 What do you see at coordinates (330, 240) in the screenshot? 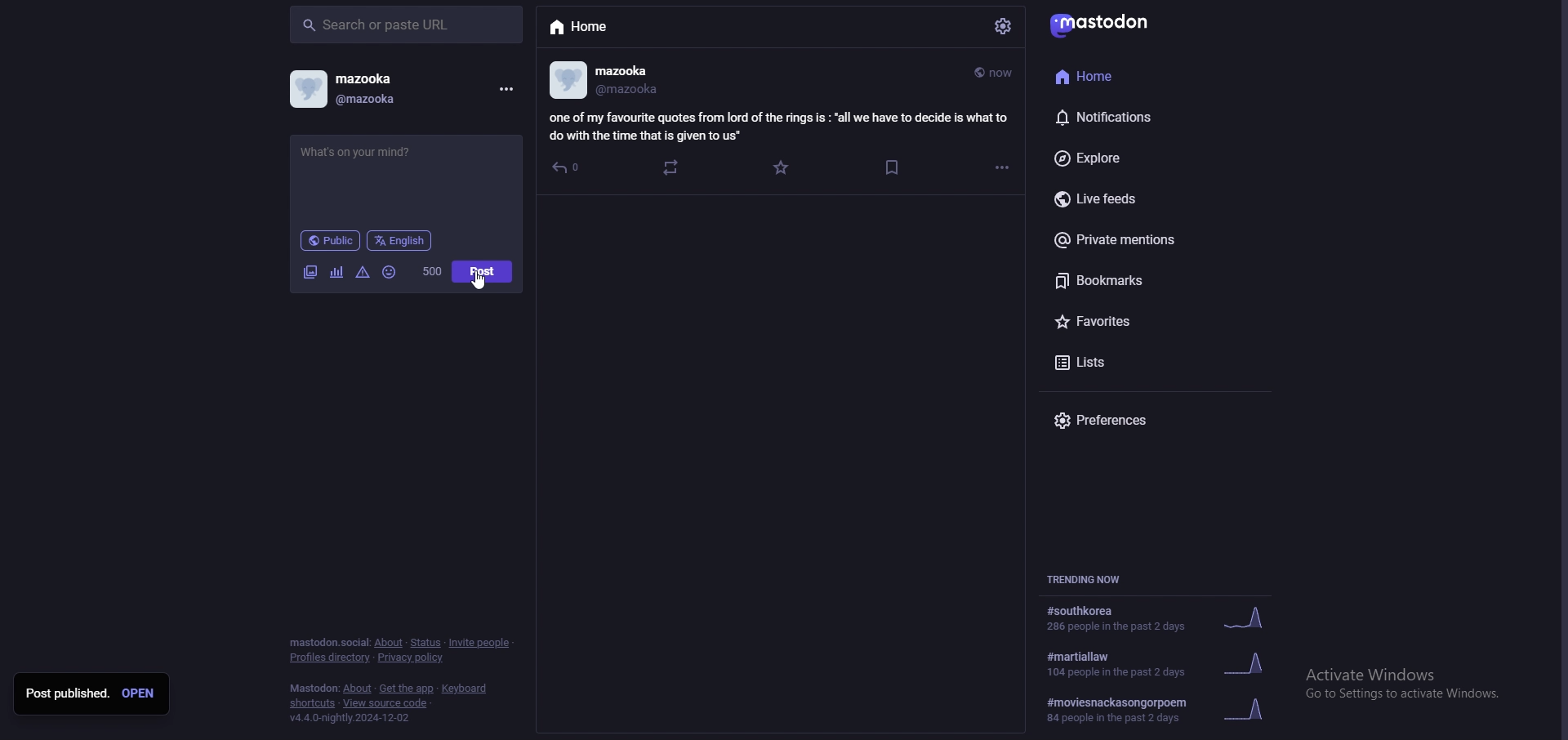
I see `audience` at bounding box center [330, 240].